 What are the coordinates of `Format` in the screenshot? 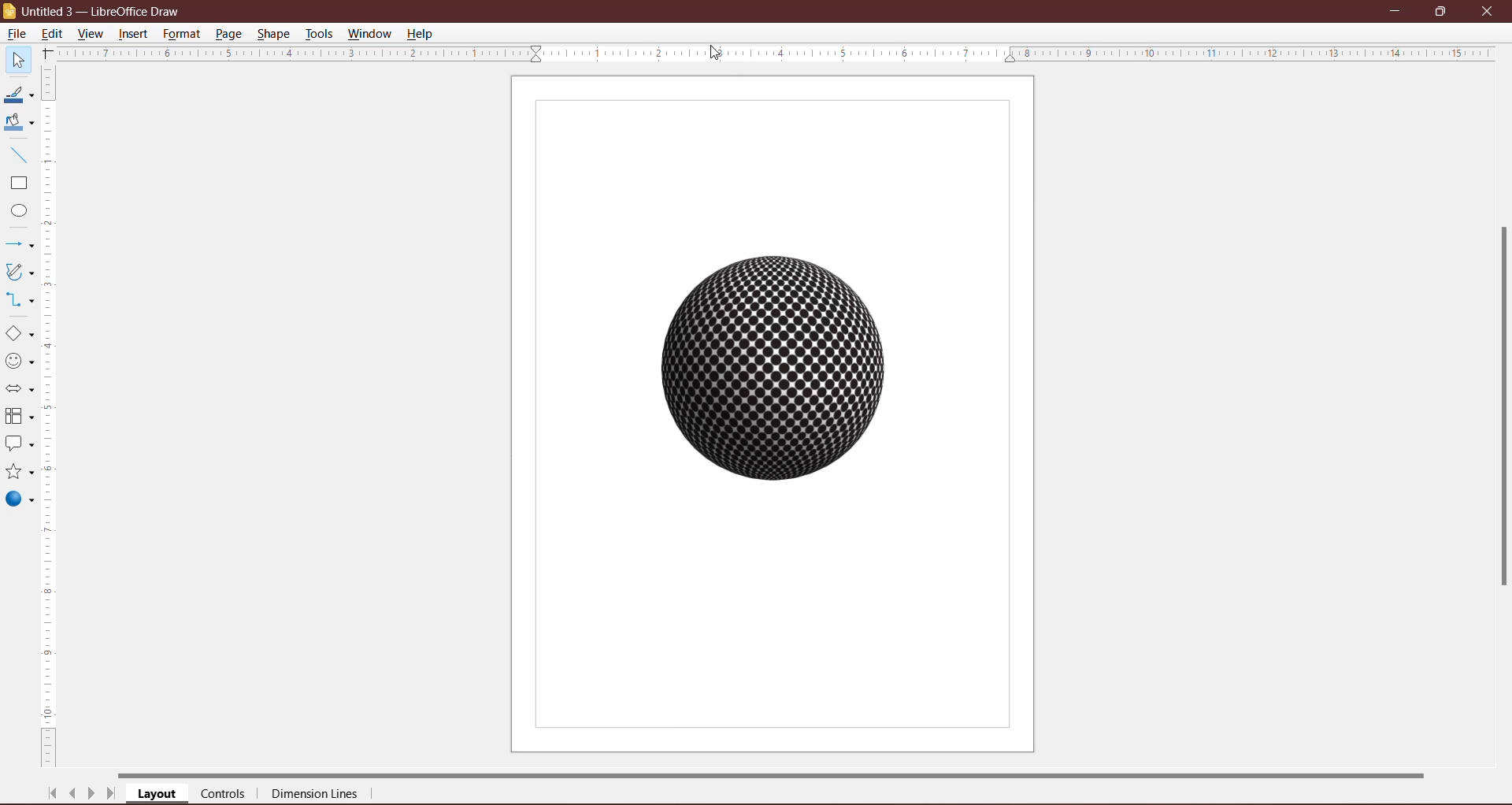 It's located at (181, 34).